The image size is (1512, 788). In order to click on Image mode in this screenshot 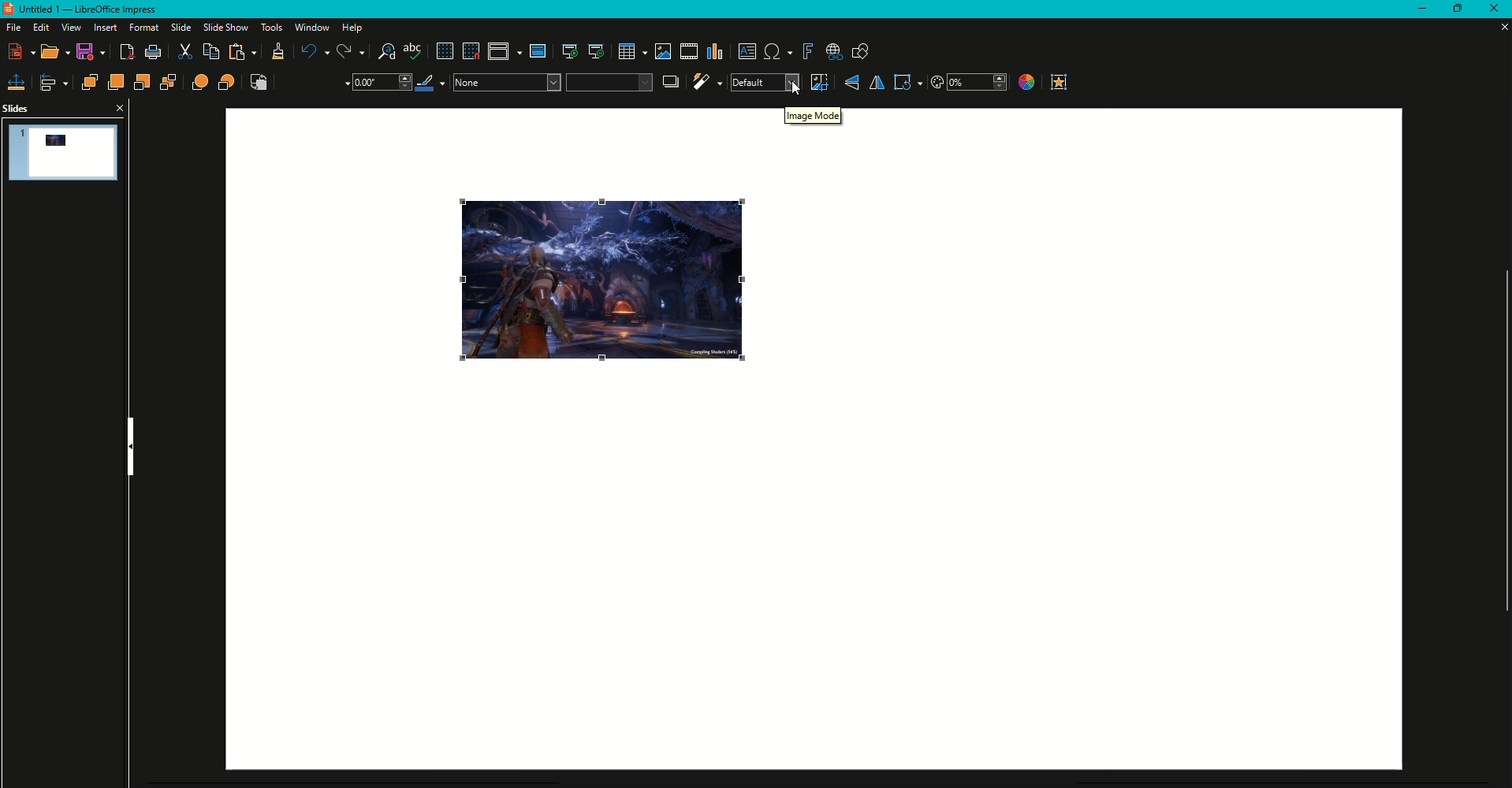, I will do `click(814, 120)`.